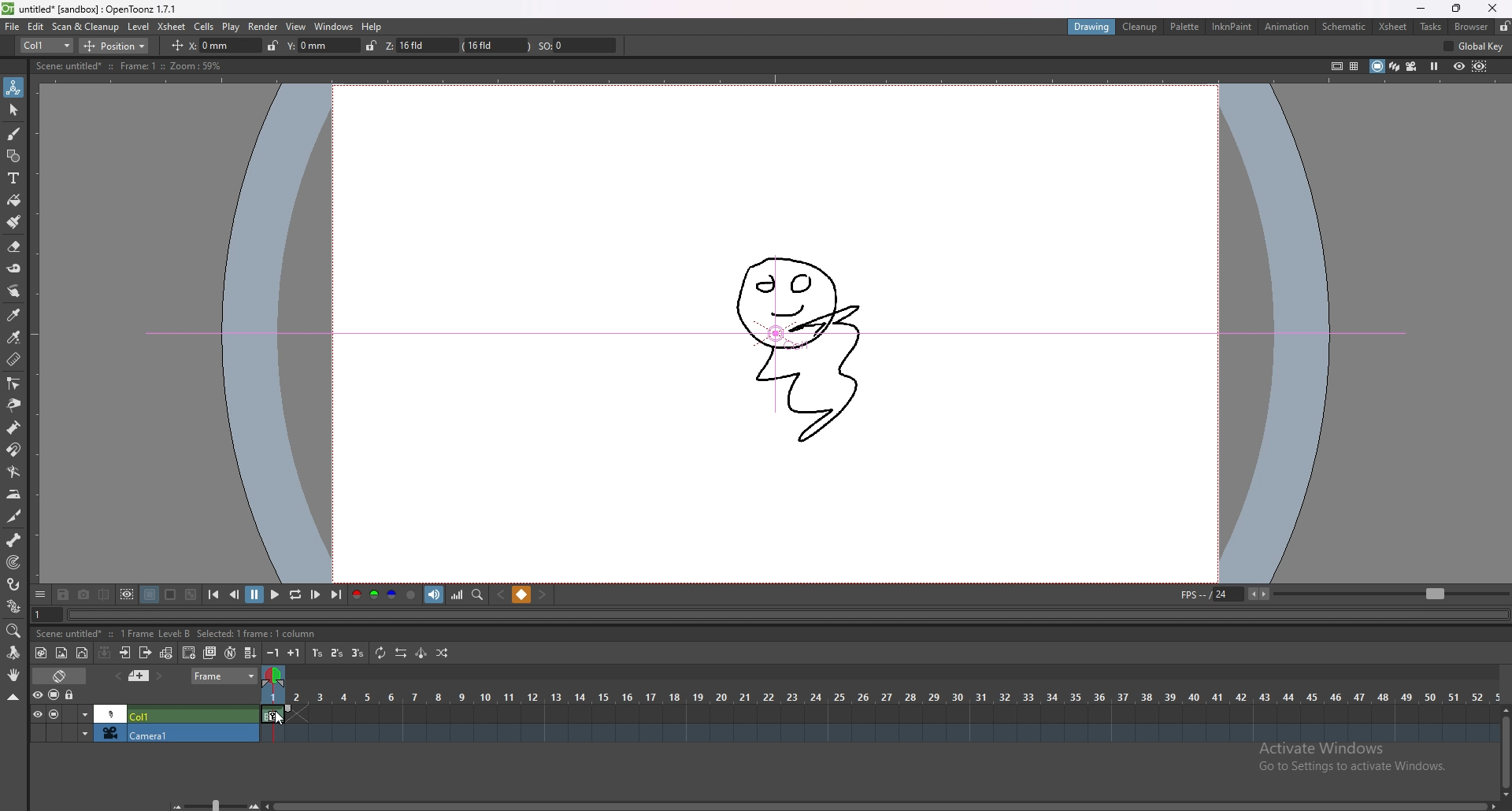  Describe the element at coordinates (1470, 26) in the screenshot. I see `browser` at that location.